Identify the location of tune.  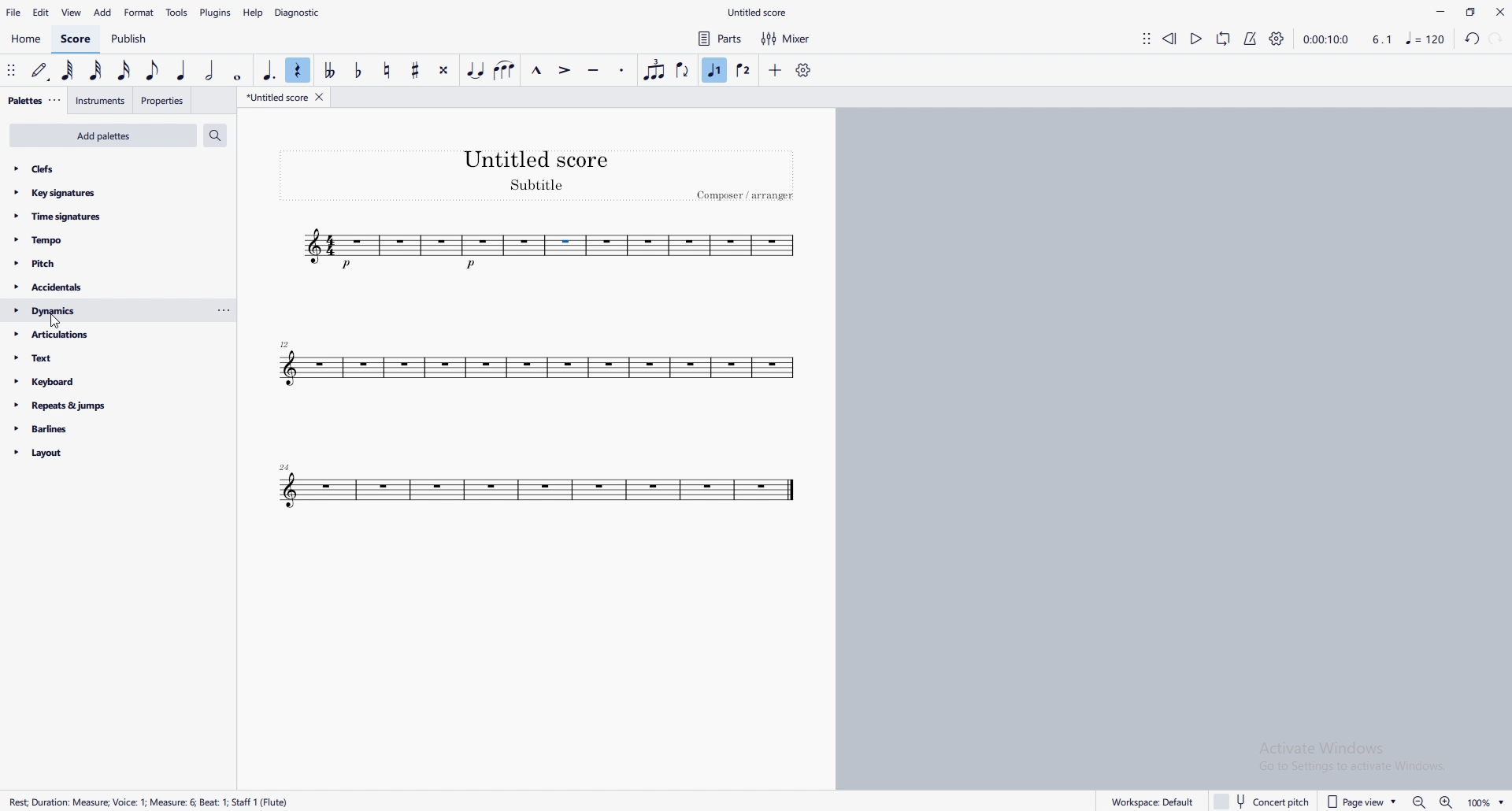
(539, 365).